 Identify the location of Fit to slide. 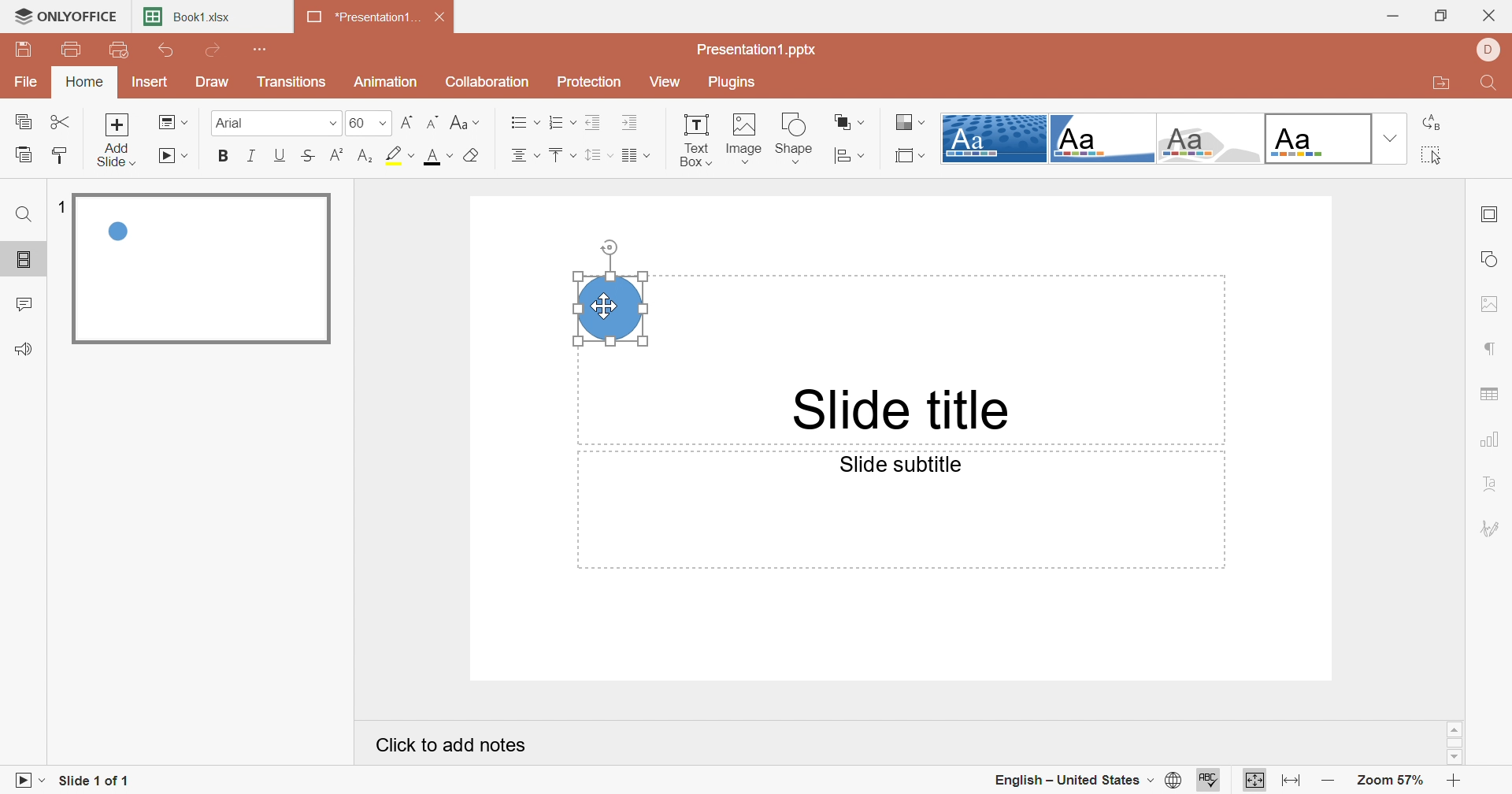
(1254, 779).